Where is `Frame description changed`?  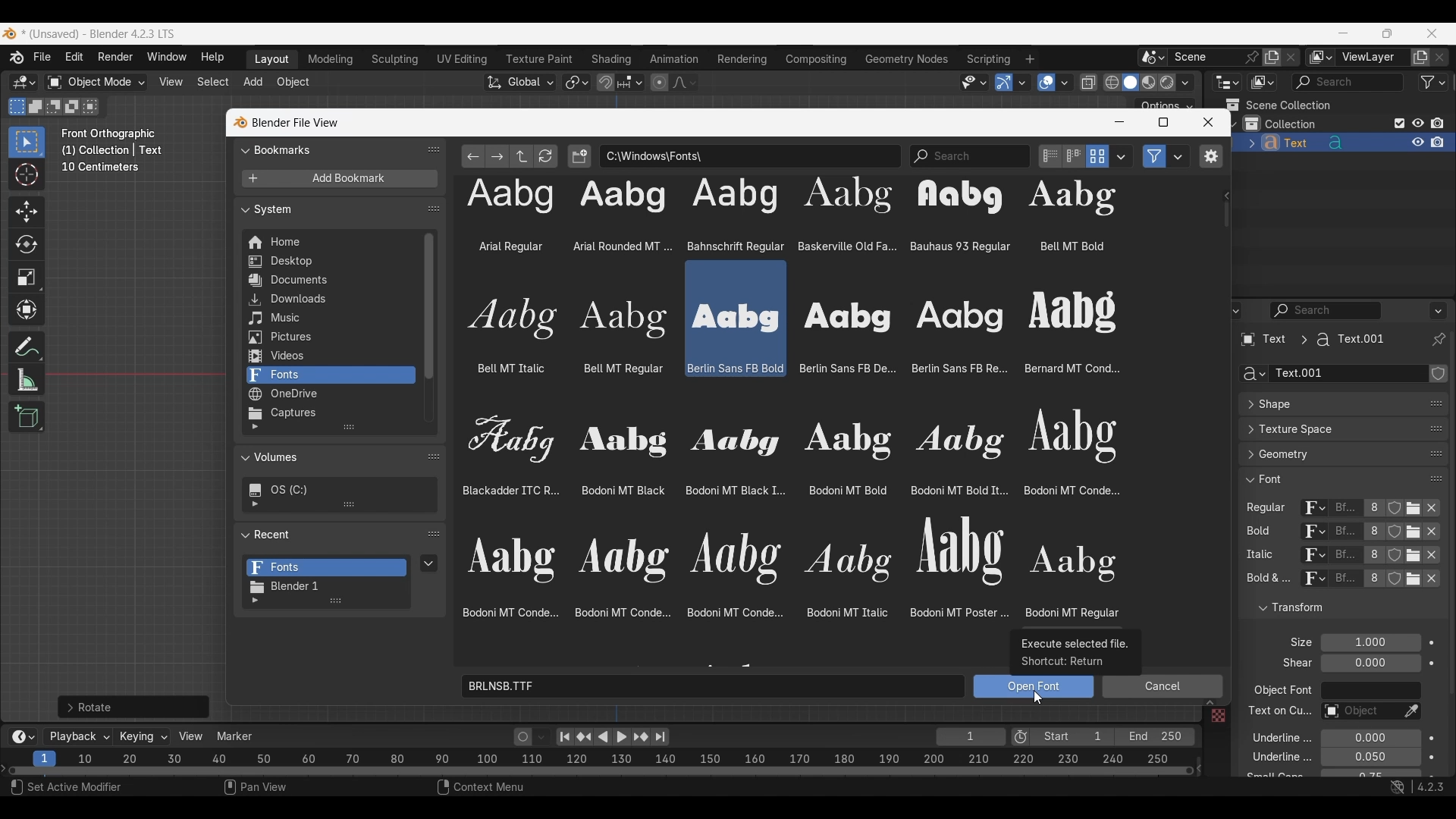
Frame description changed is located at coordinates (112, 150).